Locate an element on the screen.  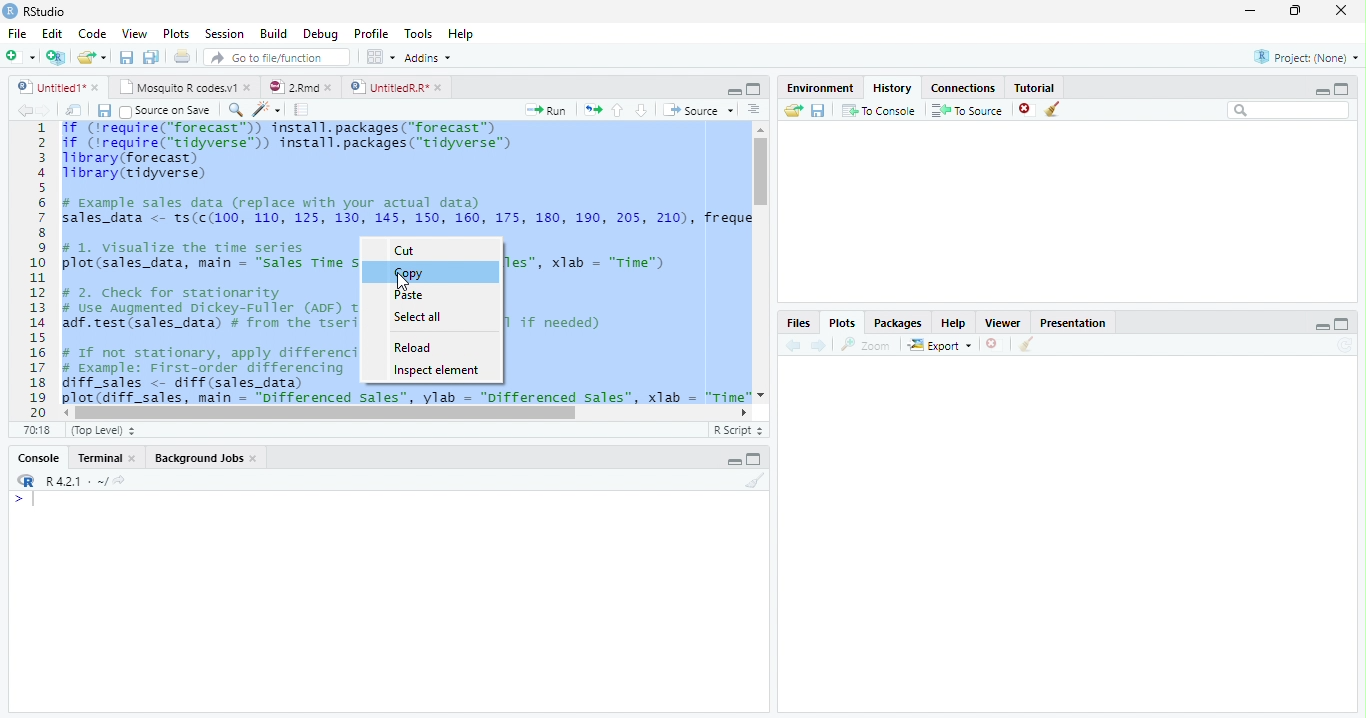
Plots is located at coordinates (175, 32).